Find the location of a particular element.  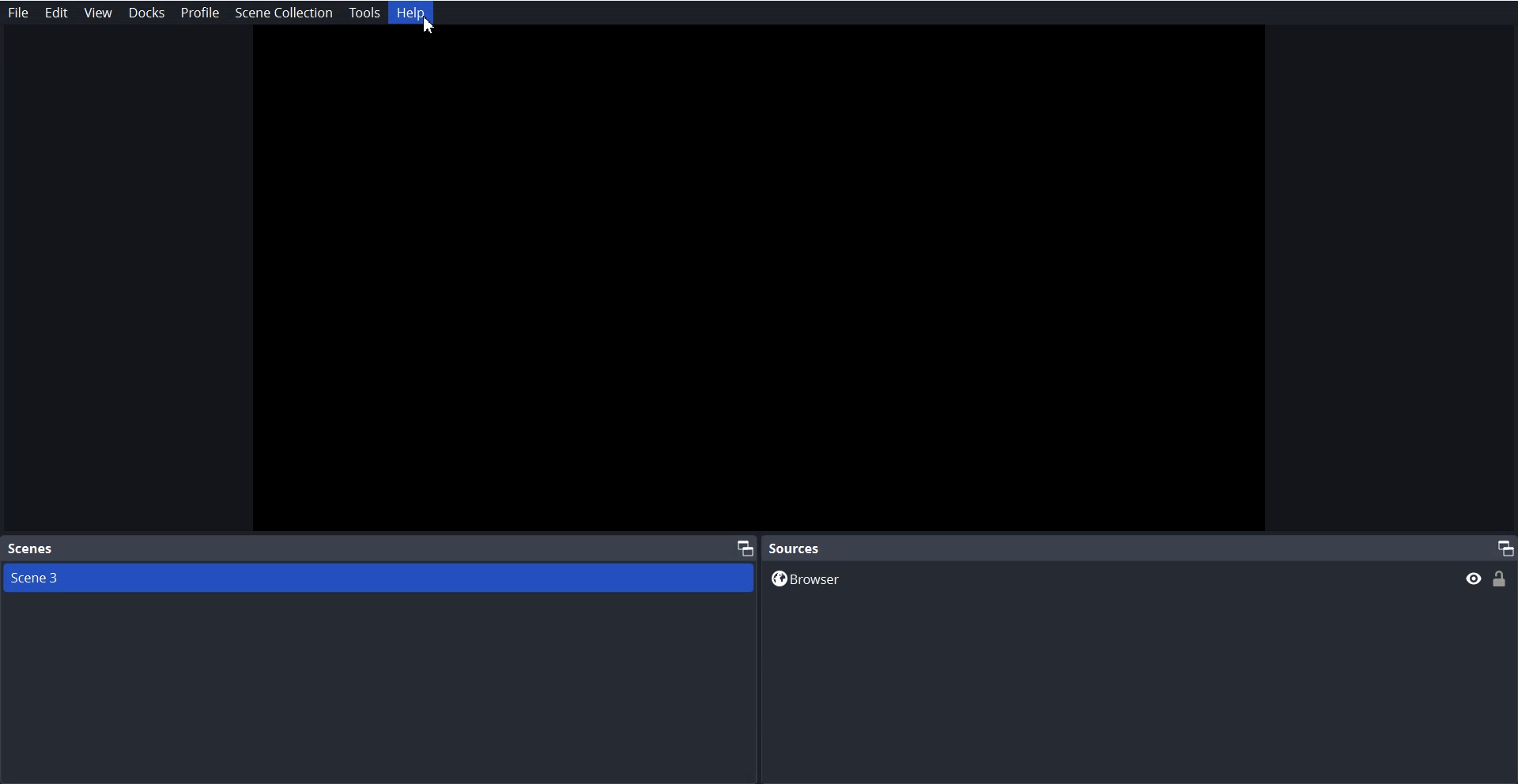

Docks is located at coordinates (145, 13).